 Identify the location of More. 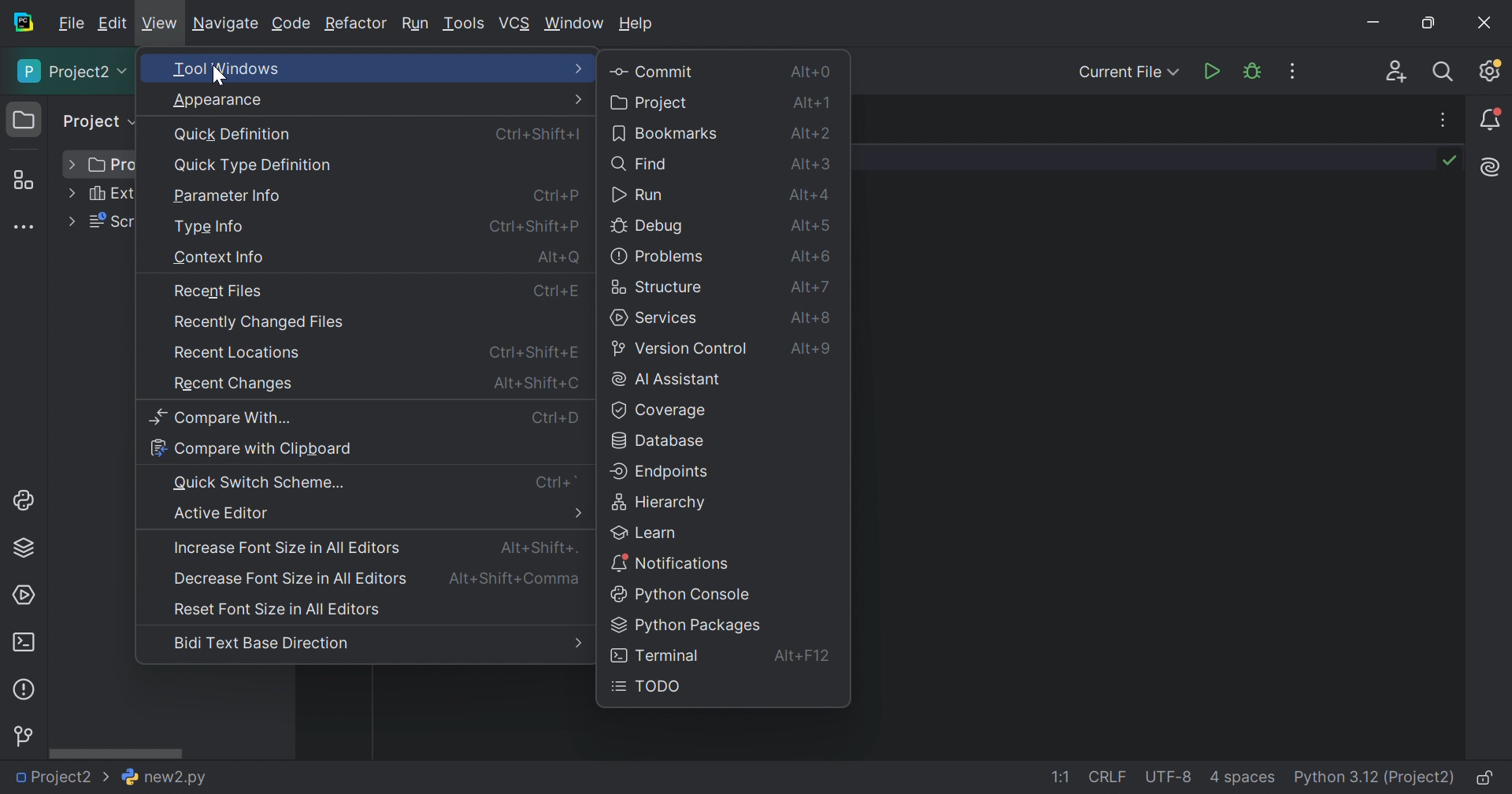
(72, 192).